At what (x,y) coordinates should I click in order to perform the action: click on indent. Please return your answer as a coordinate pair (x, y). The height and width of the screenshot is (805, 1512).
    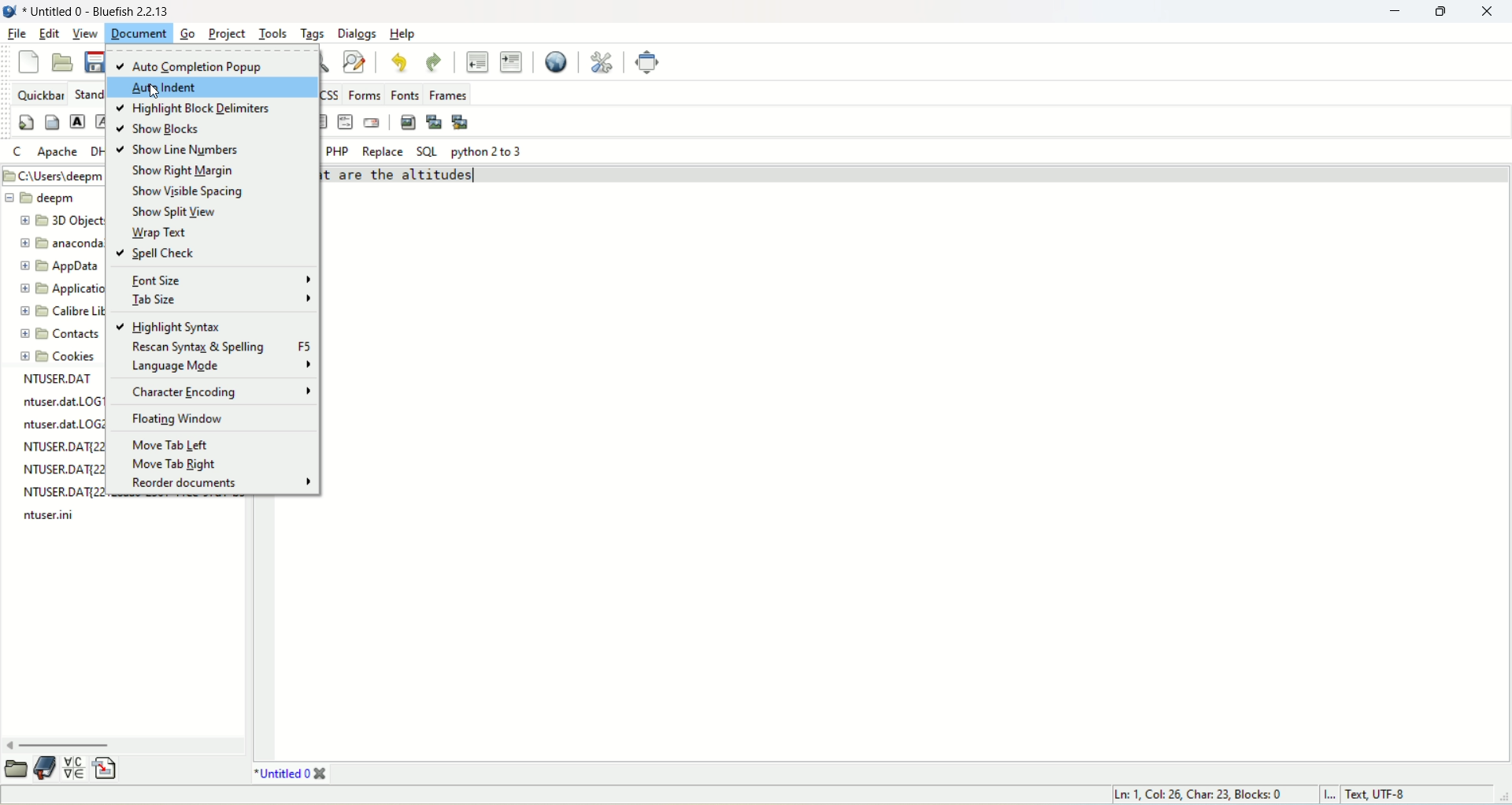
    Looking at the image, I should click on (510, 62).